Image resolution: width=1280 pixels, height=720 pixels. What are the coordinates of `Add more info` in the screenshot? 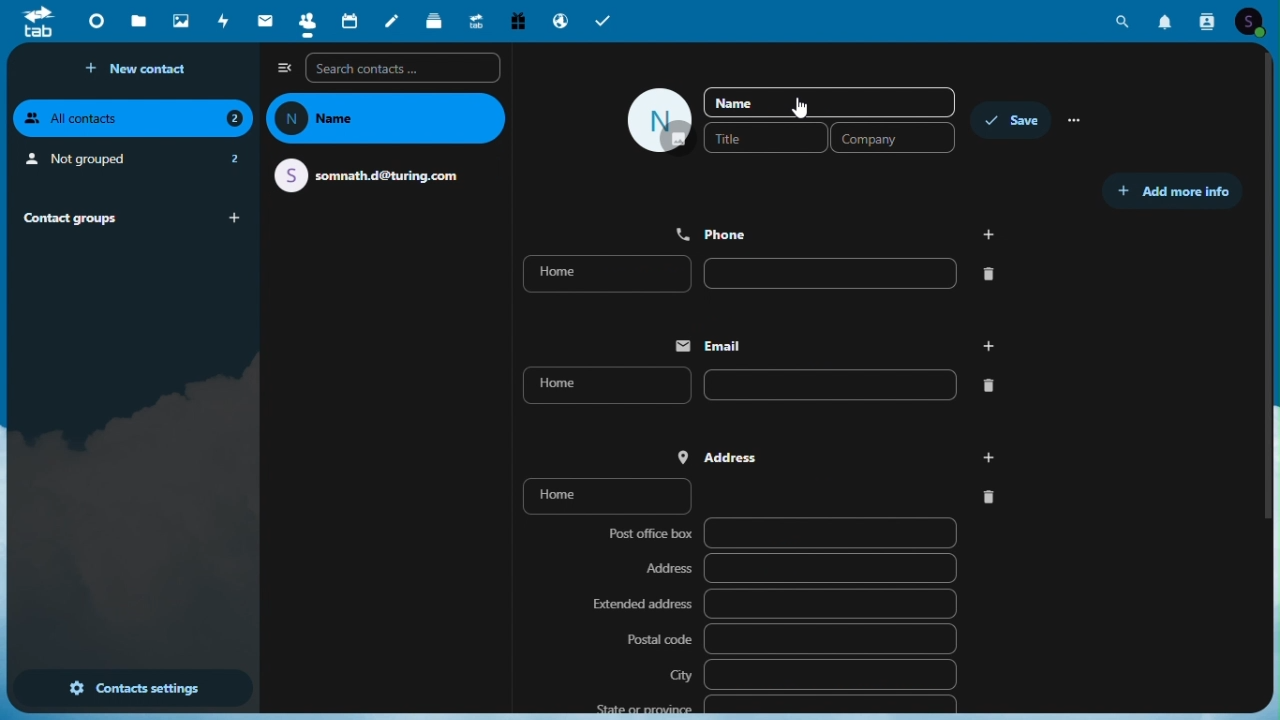 It's located at (1171, 192).